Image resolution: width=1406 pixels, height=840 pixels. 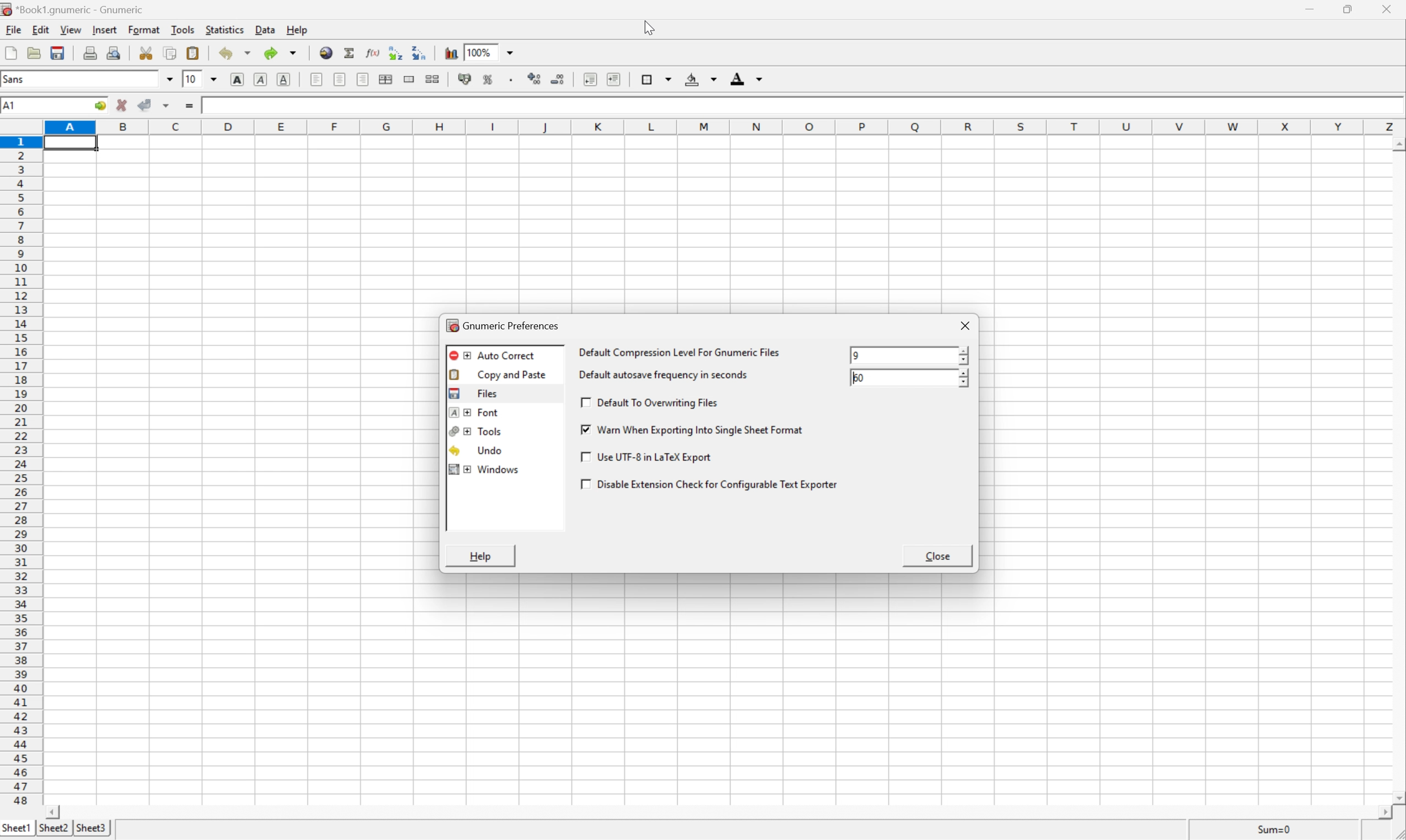 I want to click on default to overwriting files, so click(x=651, y=403).